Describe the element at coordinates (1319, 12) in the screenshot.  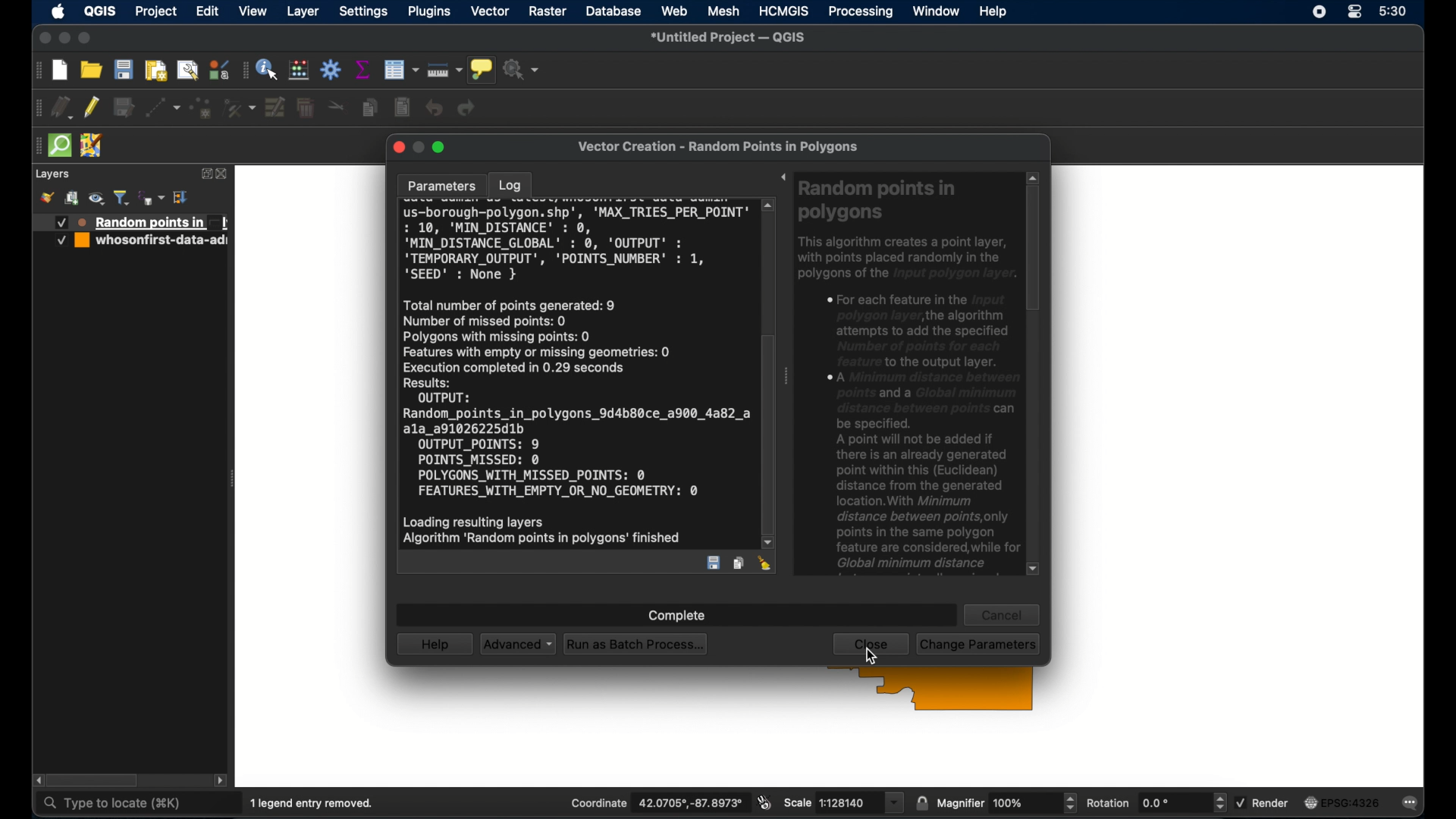
I see `screen recorder icon` at that location.